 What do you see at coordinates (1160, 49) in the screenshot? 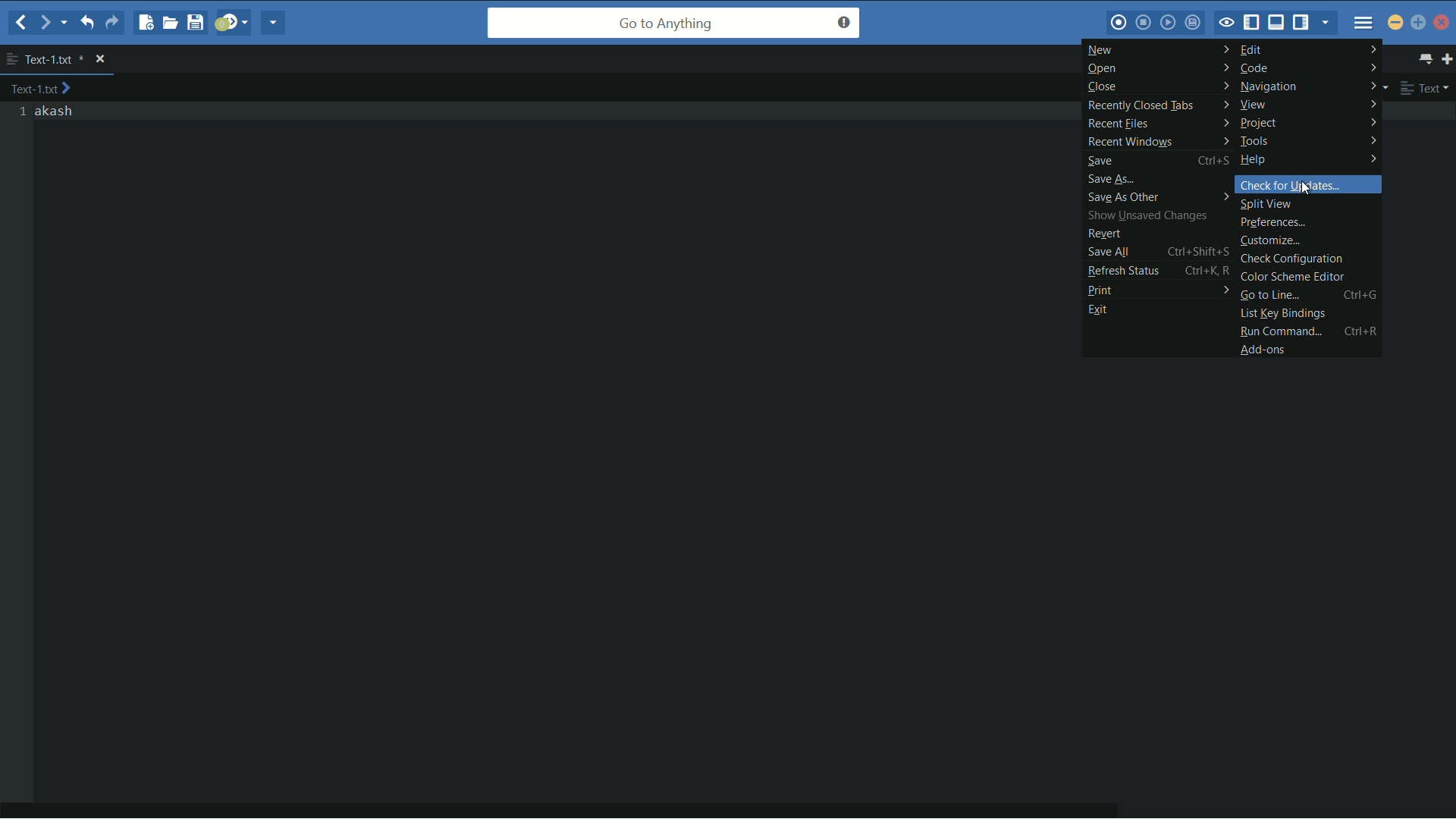
I see `new` at bounding box center [1160, 49].